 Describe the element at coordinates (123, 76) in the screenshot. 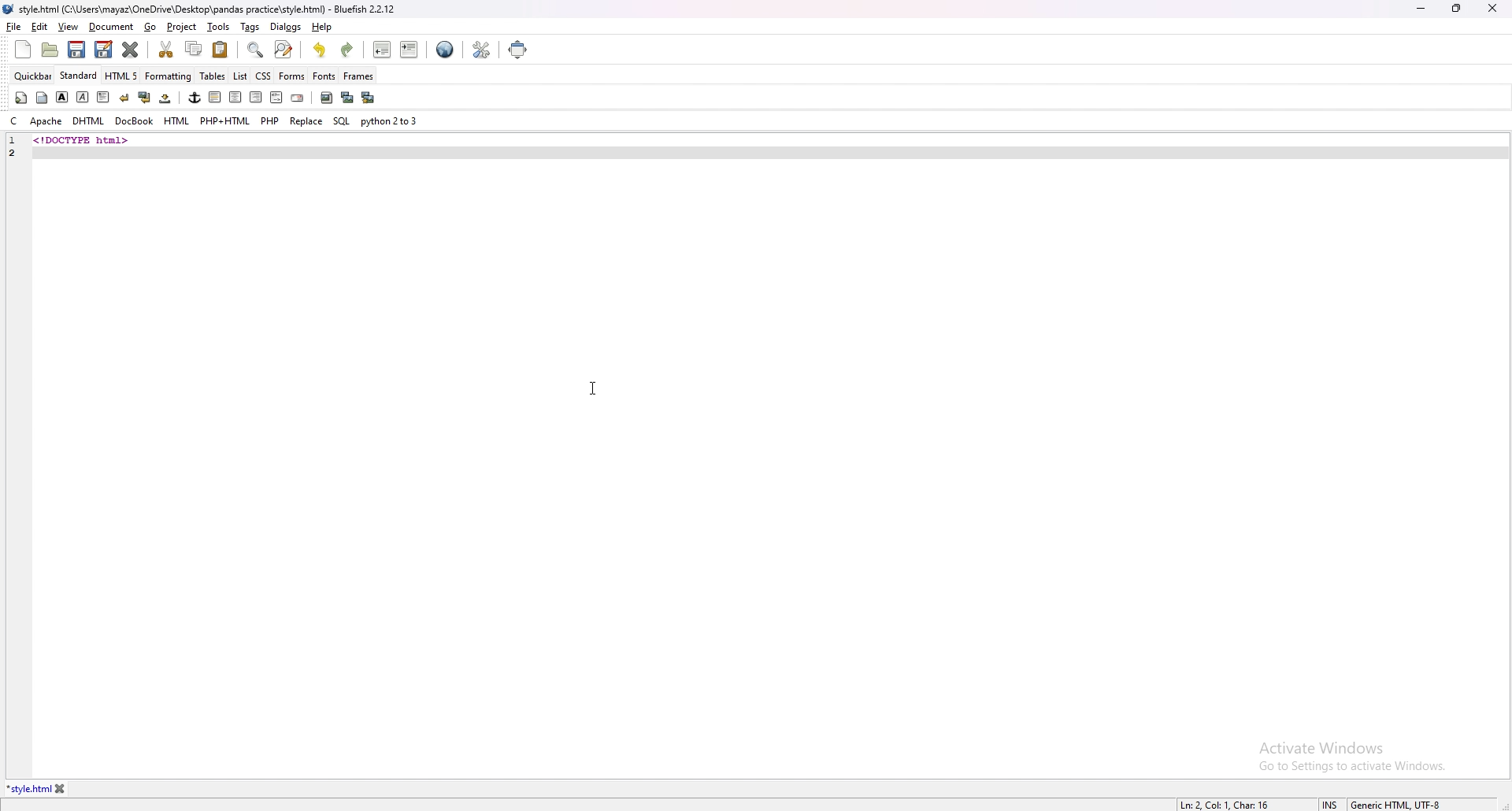

I see `html 5` at that location.